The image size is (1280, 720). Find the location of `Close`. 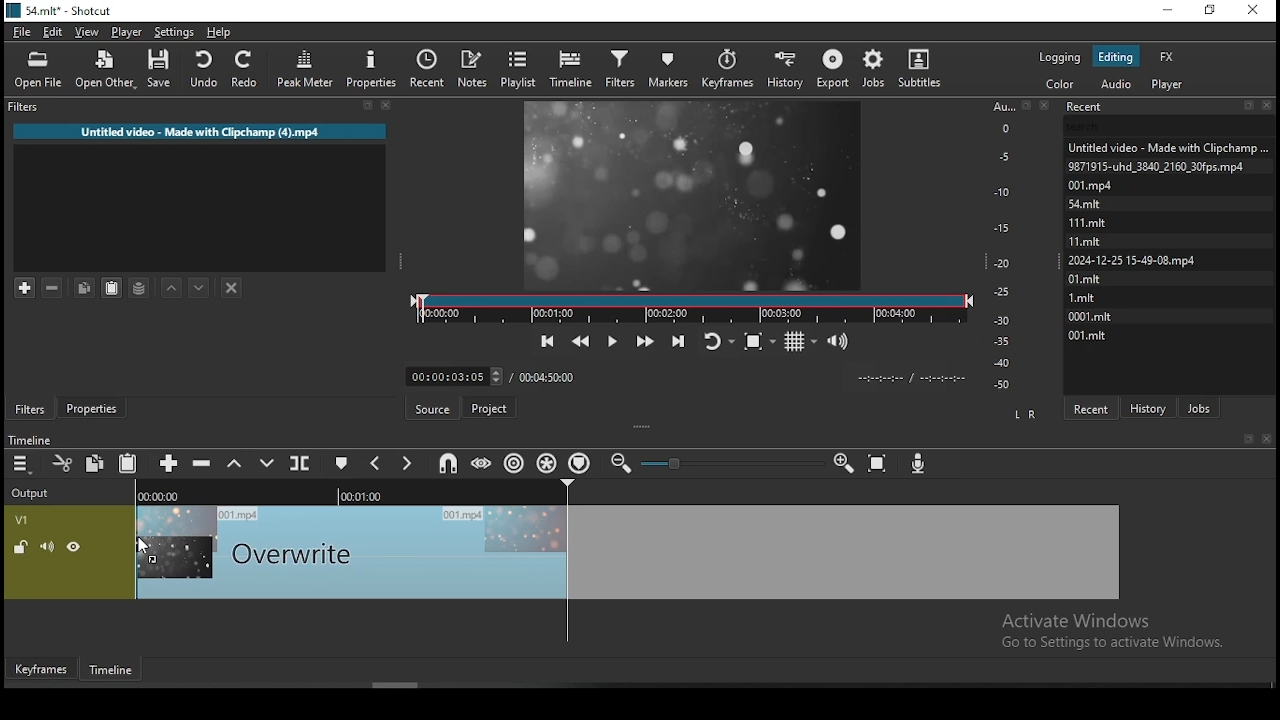

Close is located at coordinates (1048, 104).